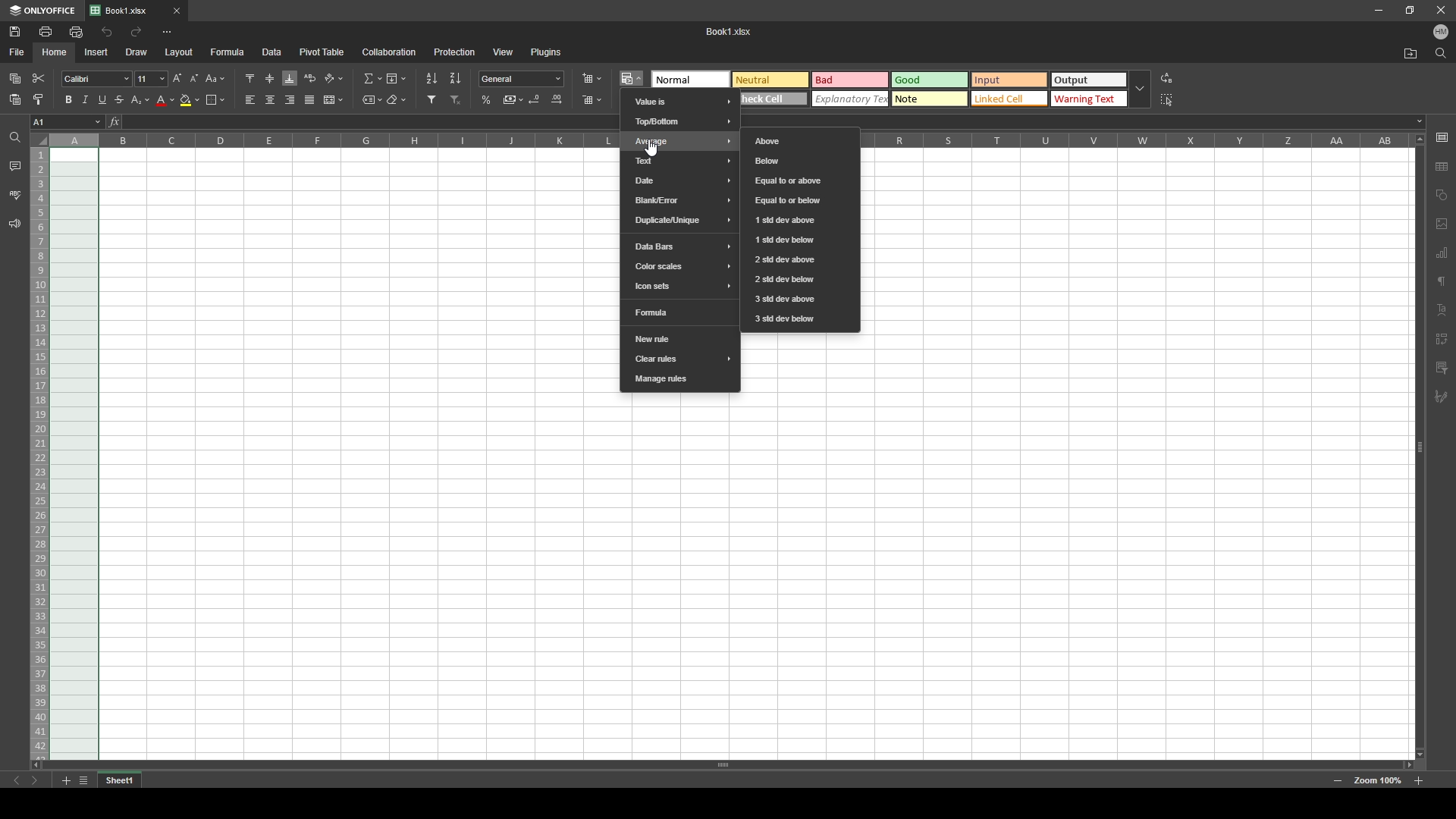 The height and width of the screenshot is (819, 1456). Describe the element at coordinates (536, 99) in the screenshot. I see `decrease decimal` at that location.